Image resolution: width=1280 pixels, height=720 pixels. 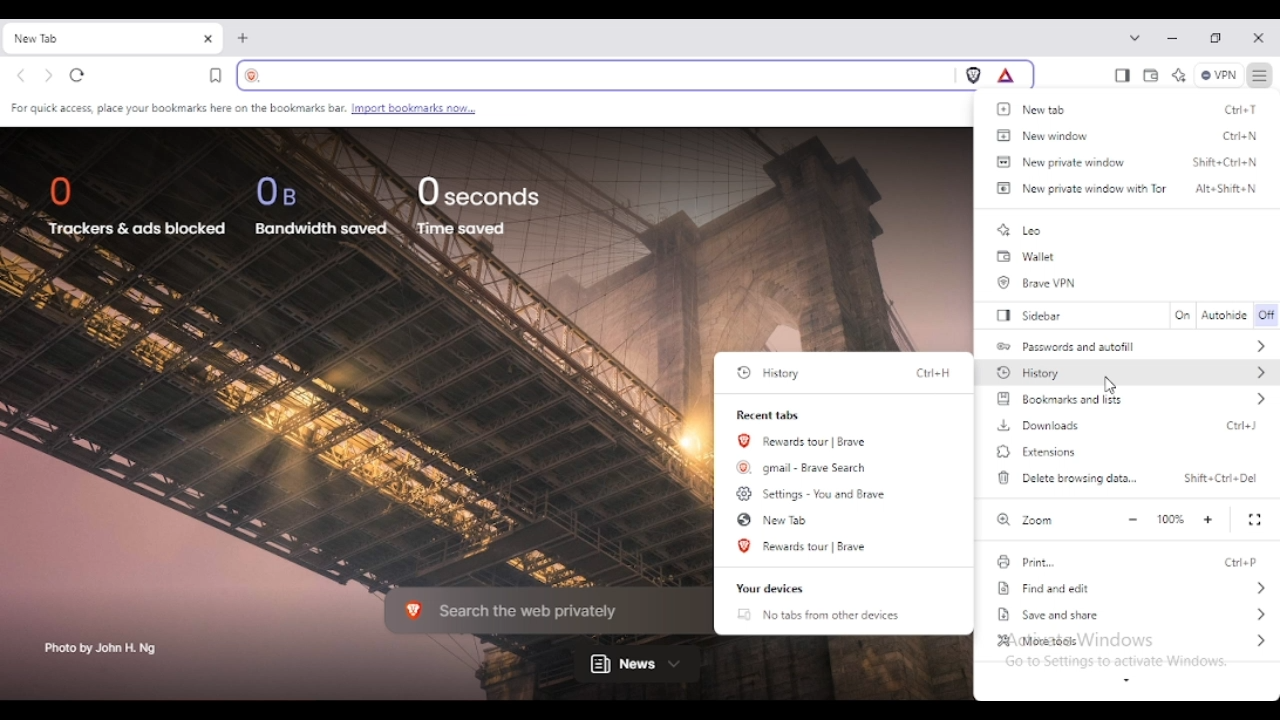 I want to click on close, so click(x=1258, y=39).